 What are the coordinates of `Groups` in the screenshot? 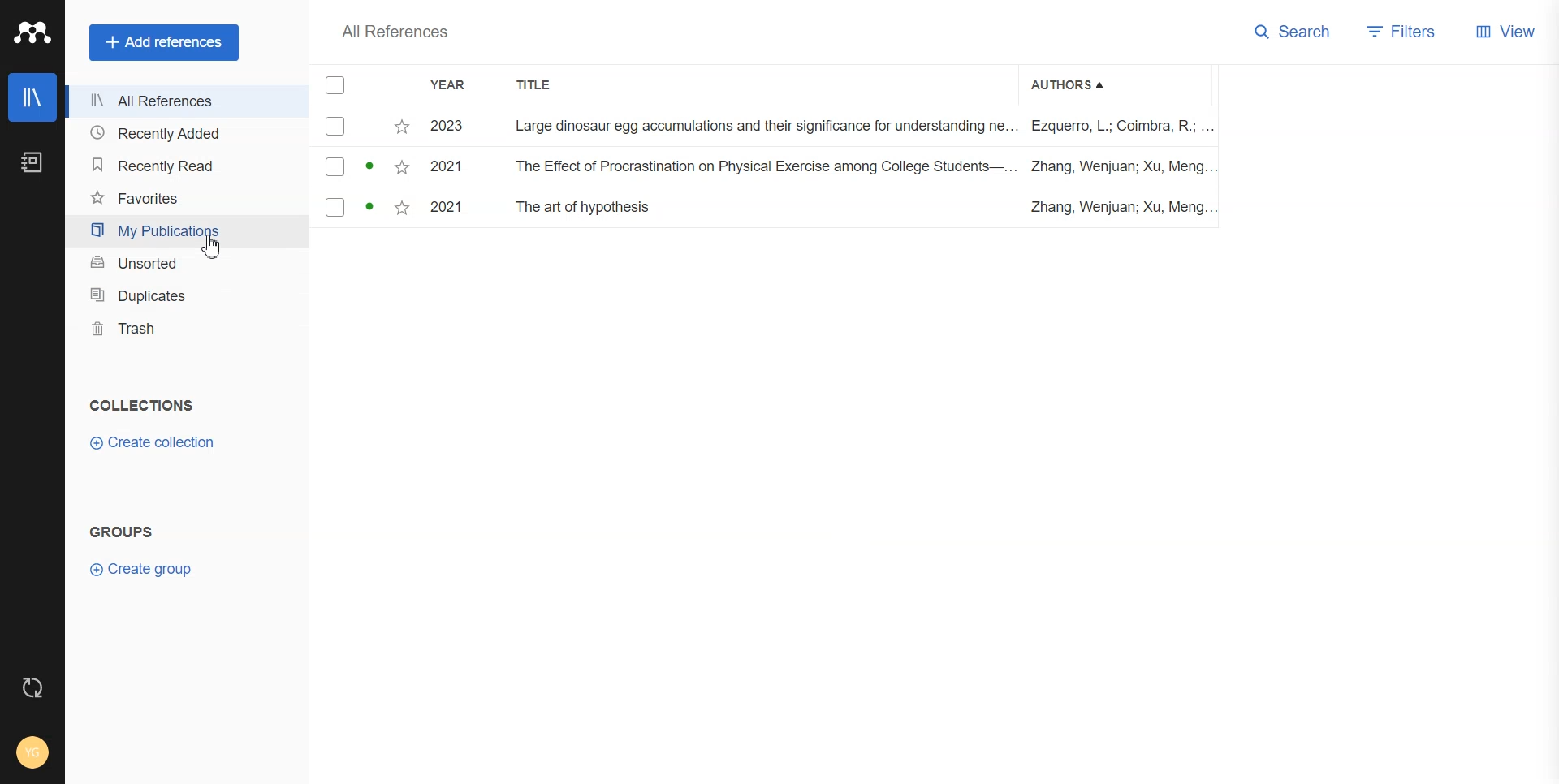 It's located at (123, 532).